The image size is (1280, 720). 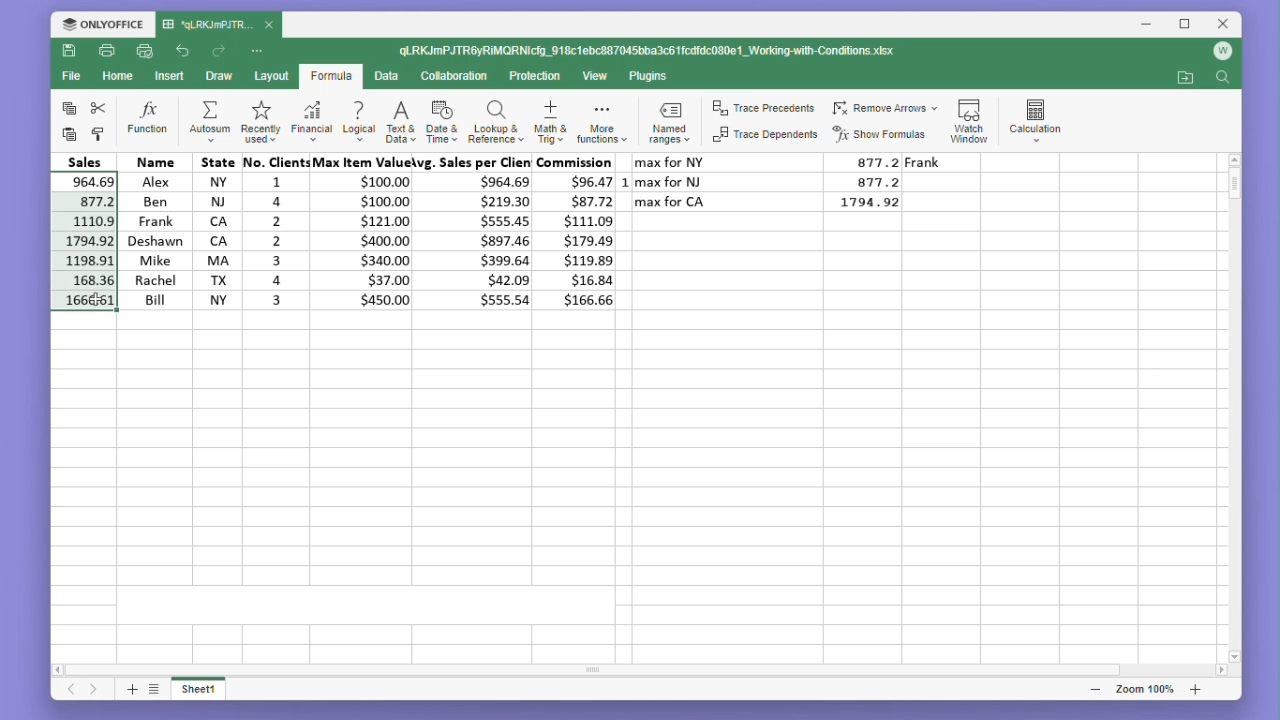 What do you see at coordinates (1219, 54) in the screenshot?
I see `Account icon` at bounding box center [1219, 54].